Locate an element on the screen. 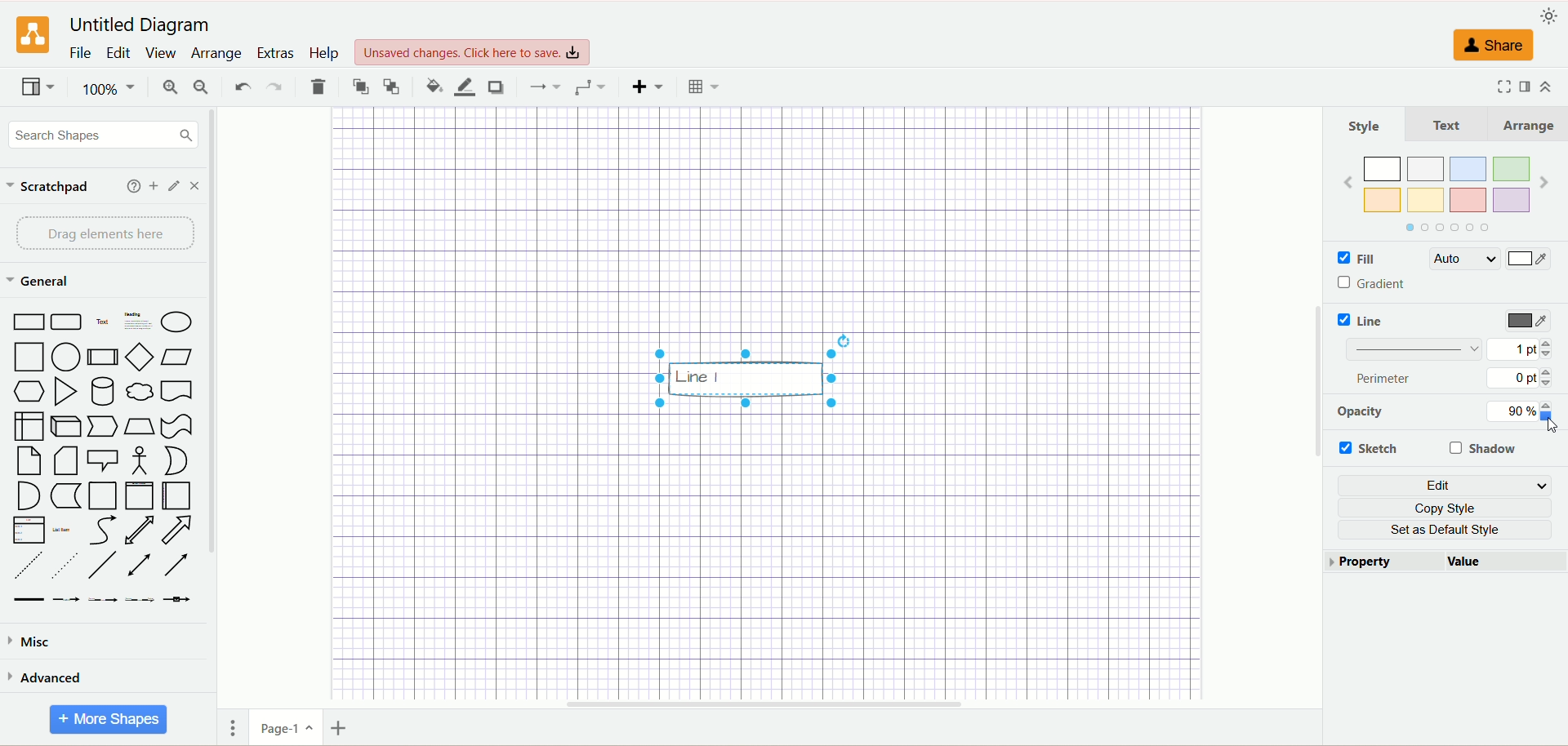 This screenshot has height=746, width=1568. close is located at coordinates (194, 185).